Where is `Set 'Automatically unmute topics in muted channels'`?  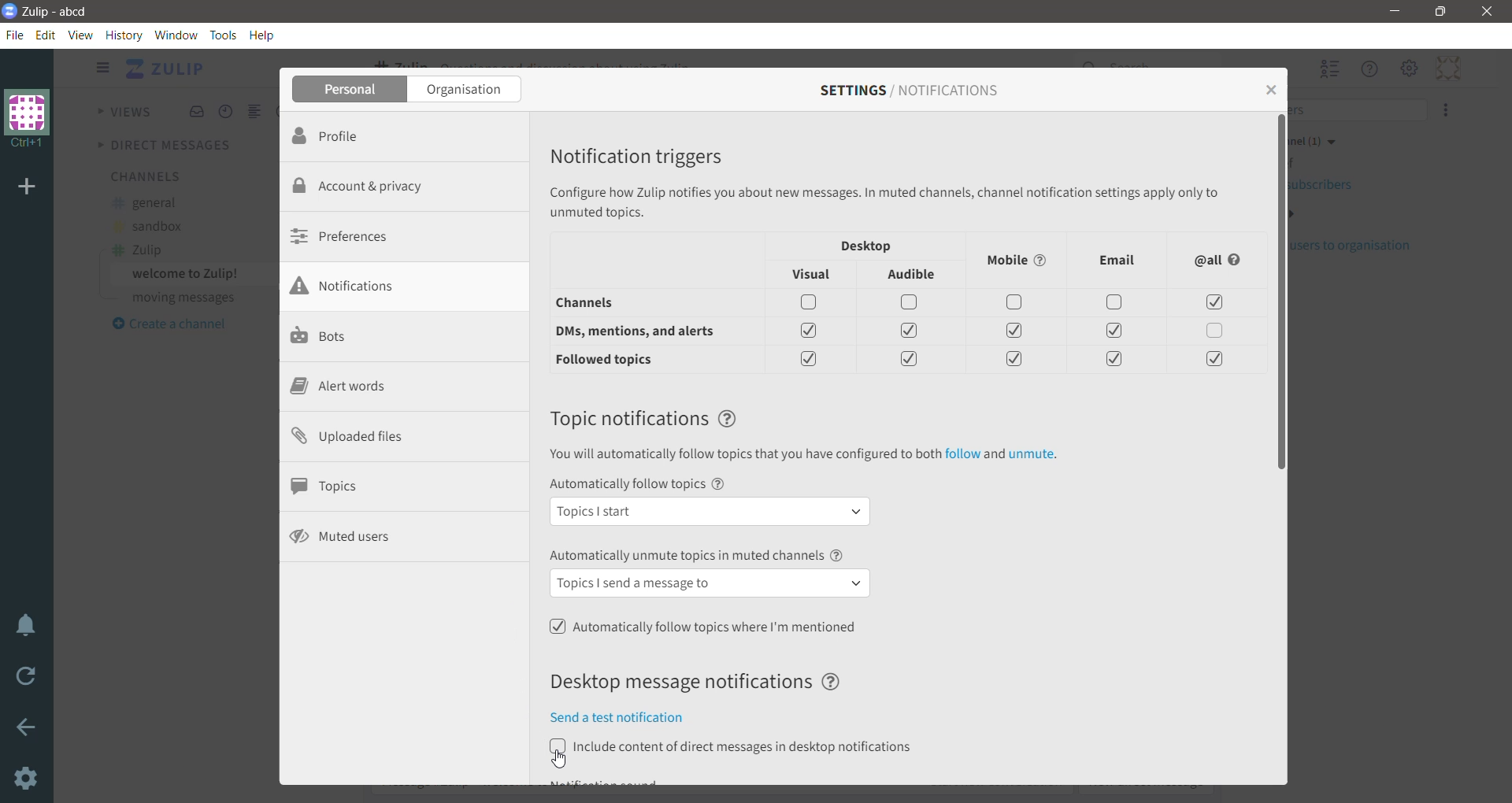 Set 'Automatically unmute topics in muted channels' is located at coordinates (711, 574).